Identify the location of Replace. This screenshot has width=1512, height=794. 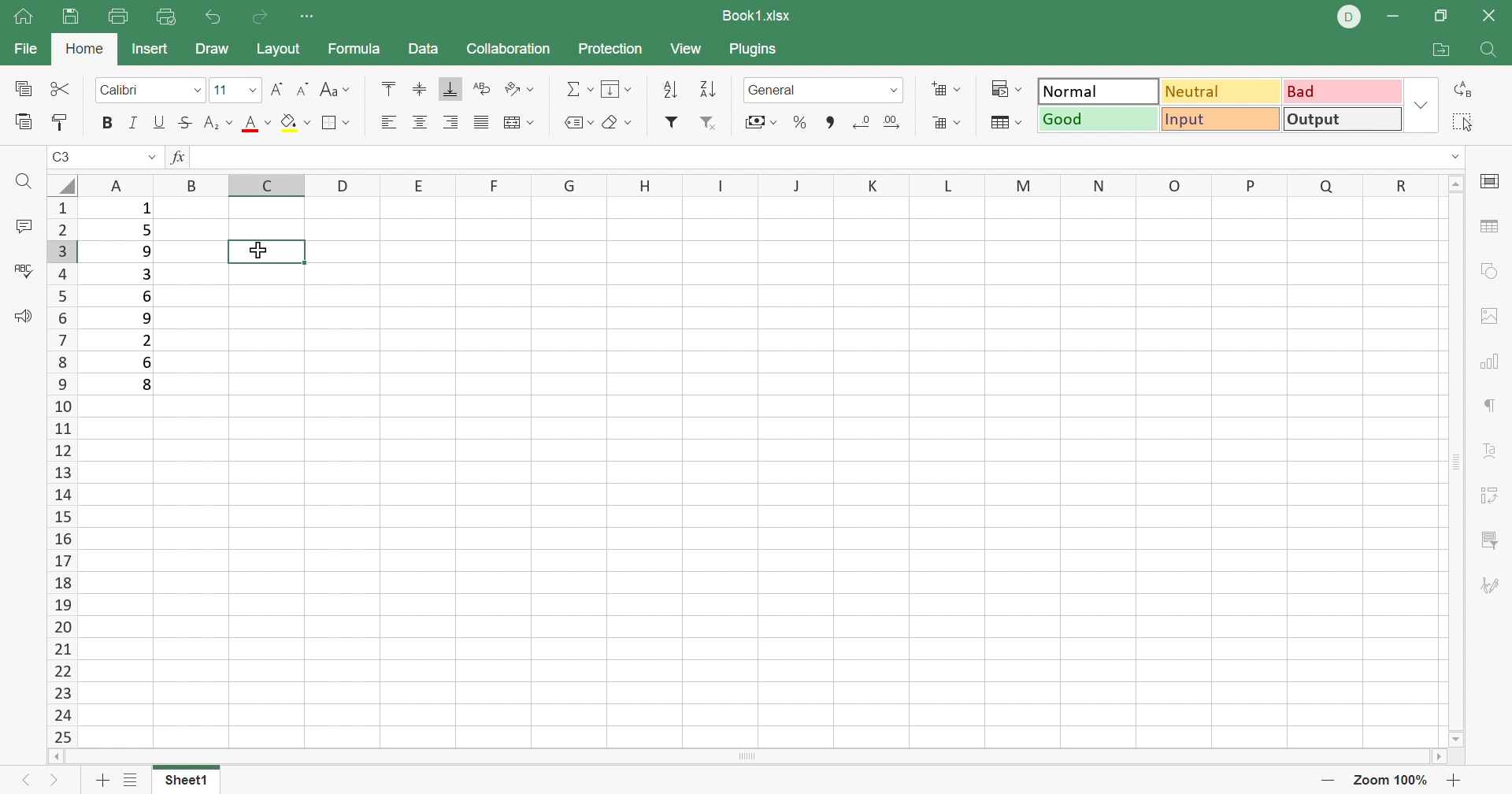
(1462, 91).